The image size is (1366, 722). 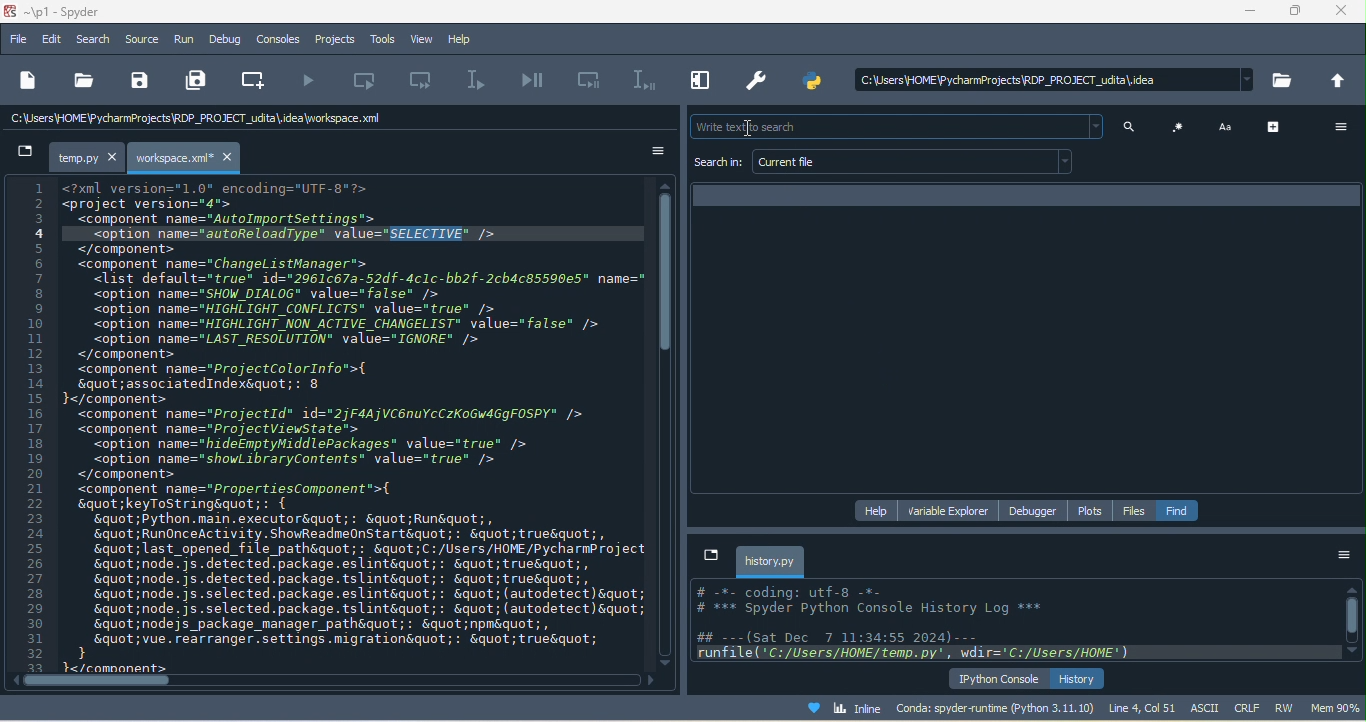 What do you see at coordinates (312, 81) in the screenshot?
I see `run file` at bounding box center [312, 81].